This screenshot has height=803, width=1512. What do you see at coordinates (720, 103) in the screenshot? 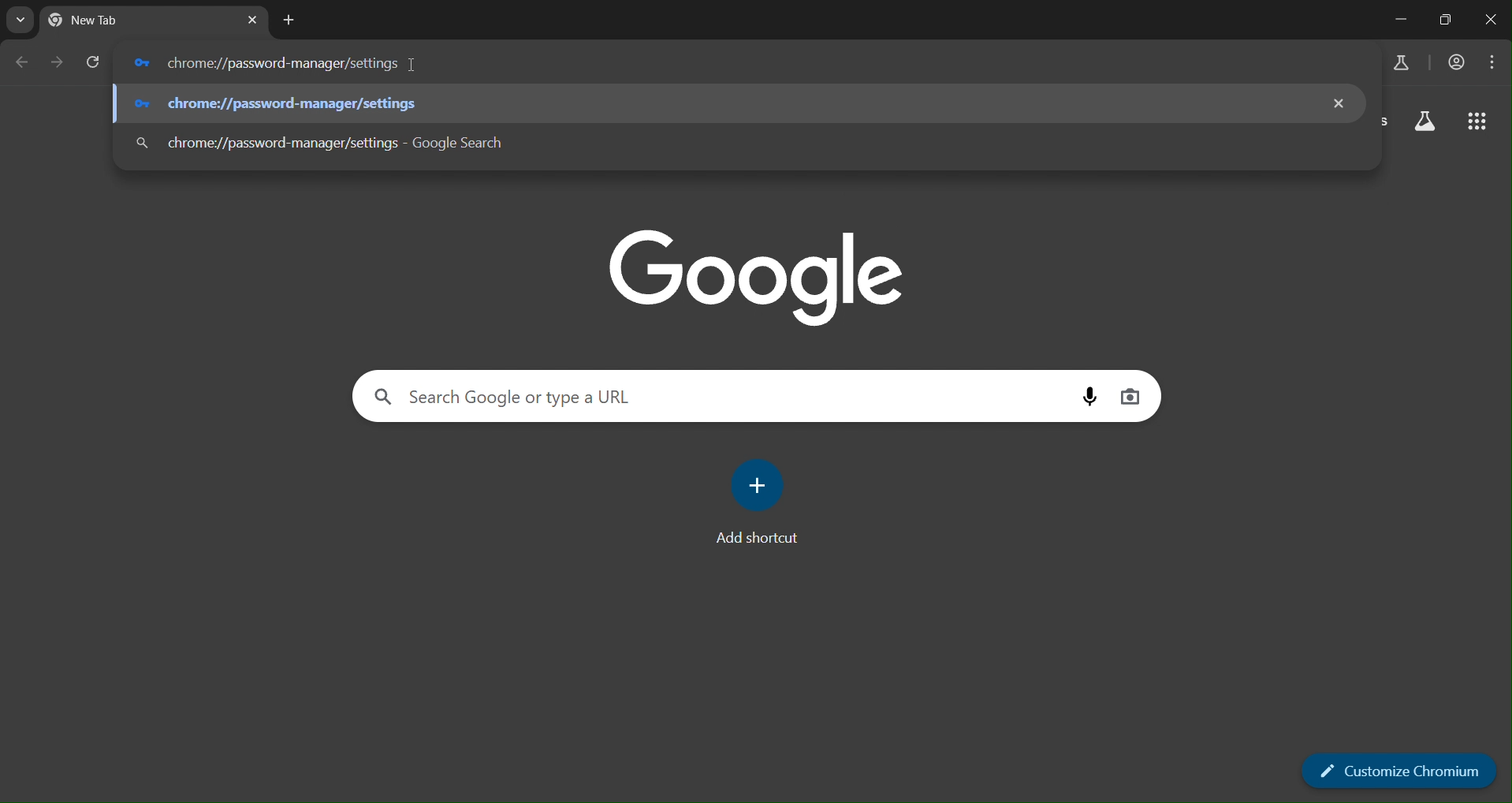
I see `chrome://password-manager/settings` at bounding box center [720, 103].